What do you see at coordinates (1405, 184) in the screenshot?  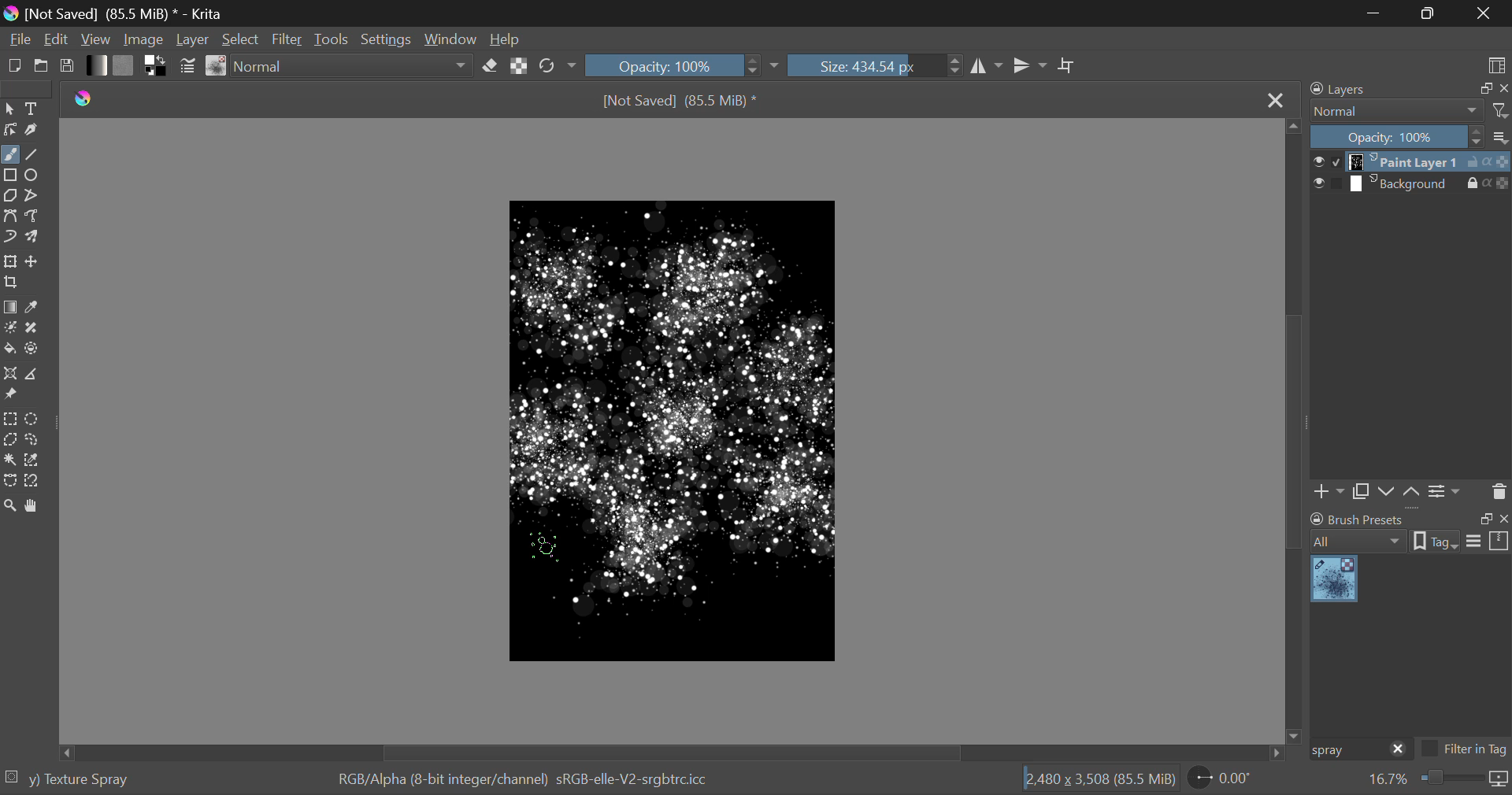 I see `layer 2` at bounding box center [1405, 184].